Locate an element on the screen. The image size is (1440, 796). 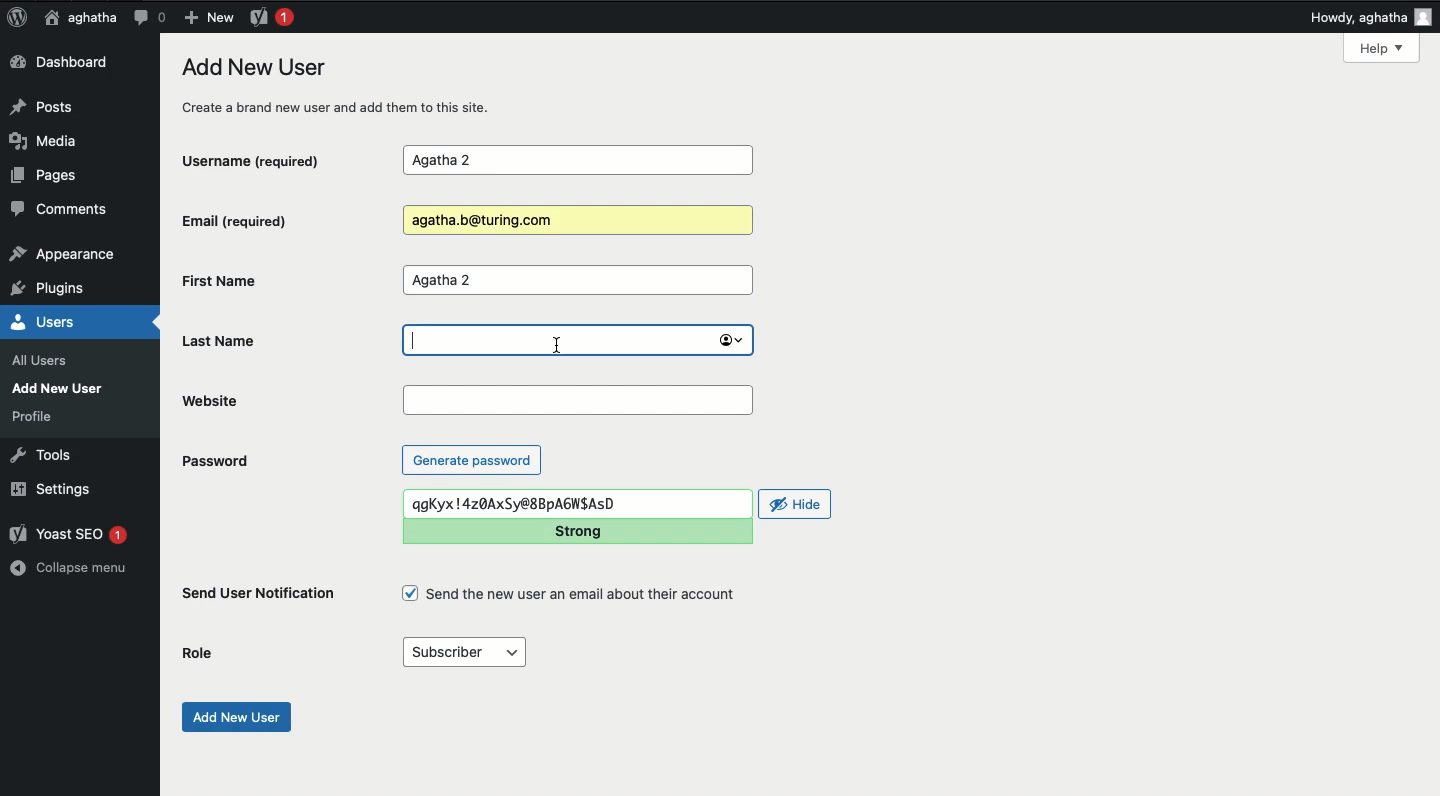
Posts is located at coordinates (47, 105).